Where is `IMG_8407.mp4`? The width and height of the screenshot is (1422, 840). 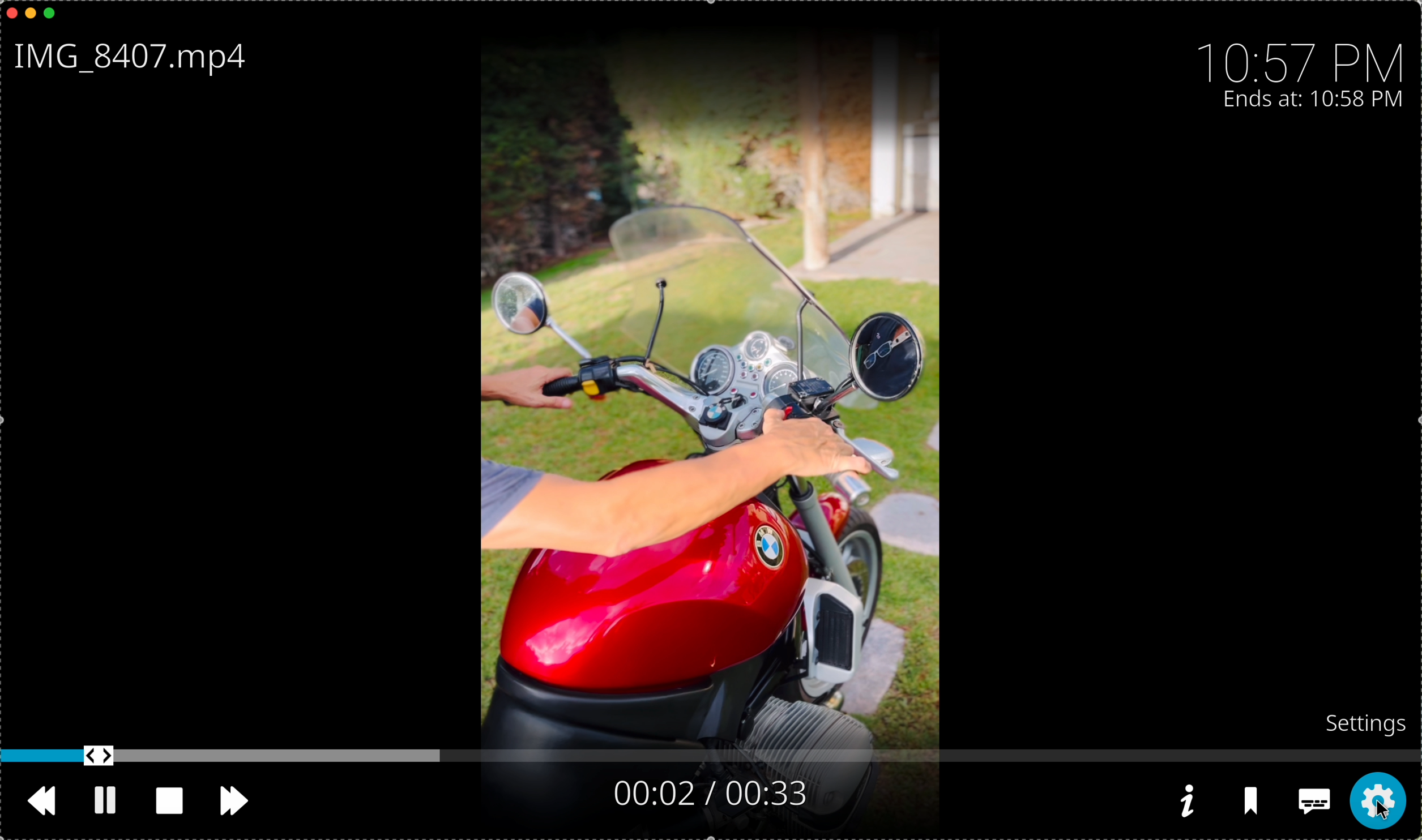 IMG_8407.mp4 is located at coordinates (136, 59).